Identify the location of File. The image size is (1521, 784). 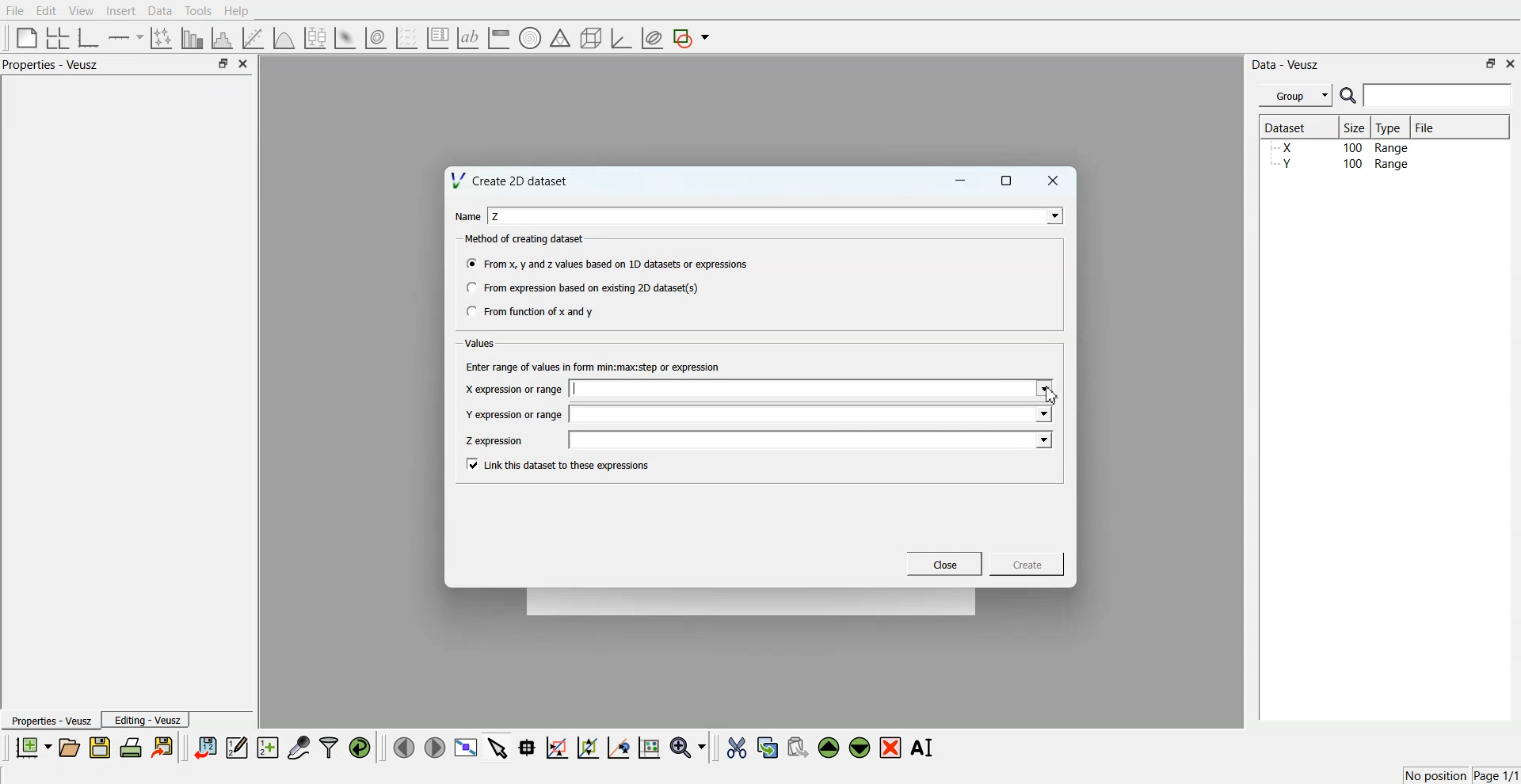
(15, 10).